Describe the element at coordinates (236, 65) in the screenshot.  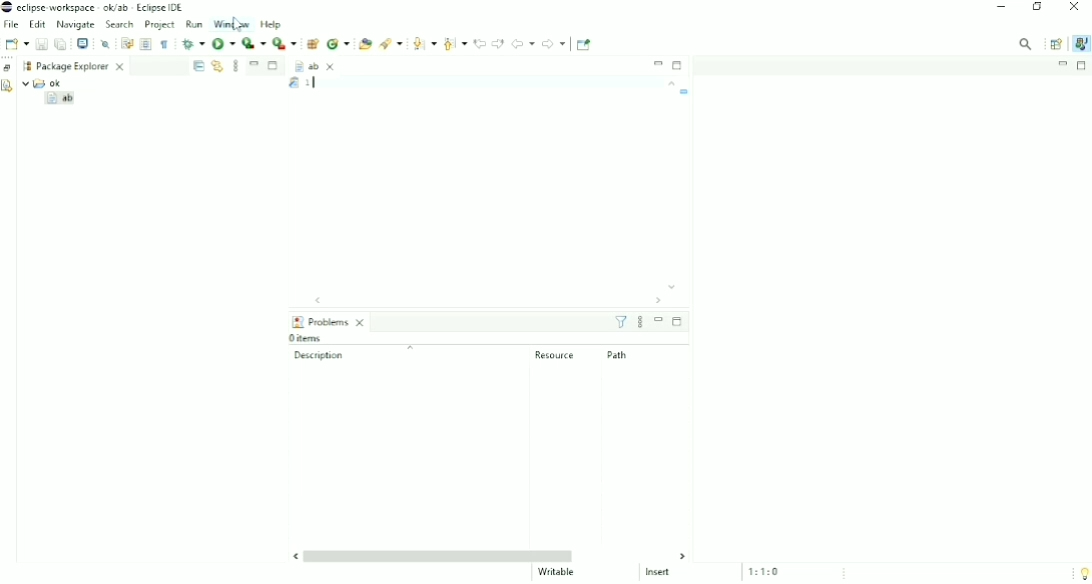
I see `View Menu` at that location.